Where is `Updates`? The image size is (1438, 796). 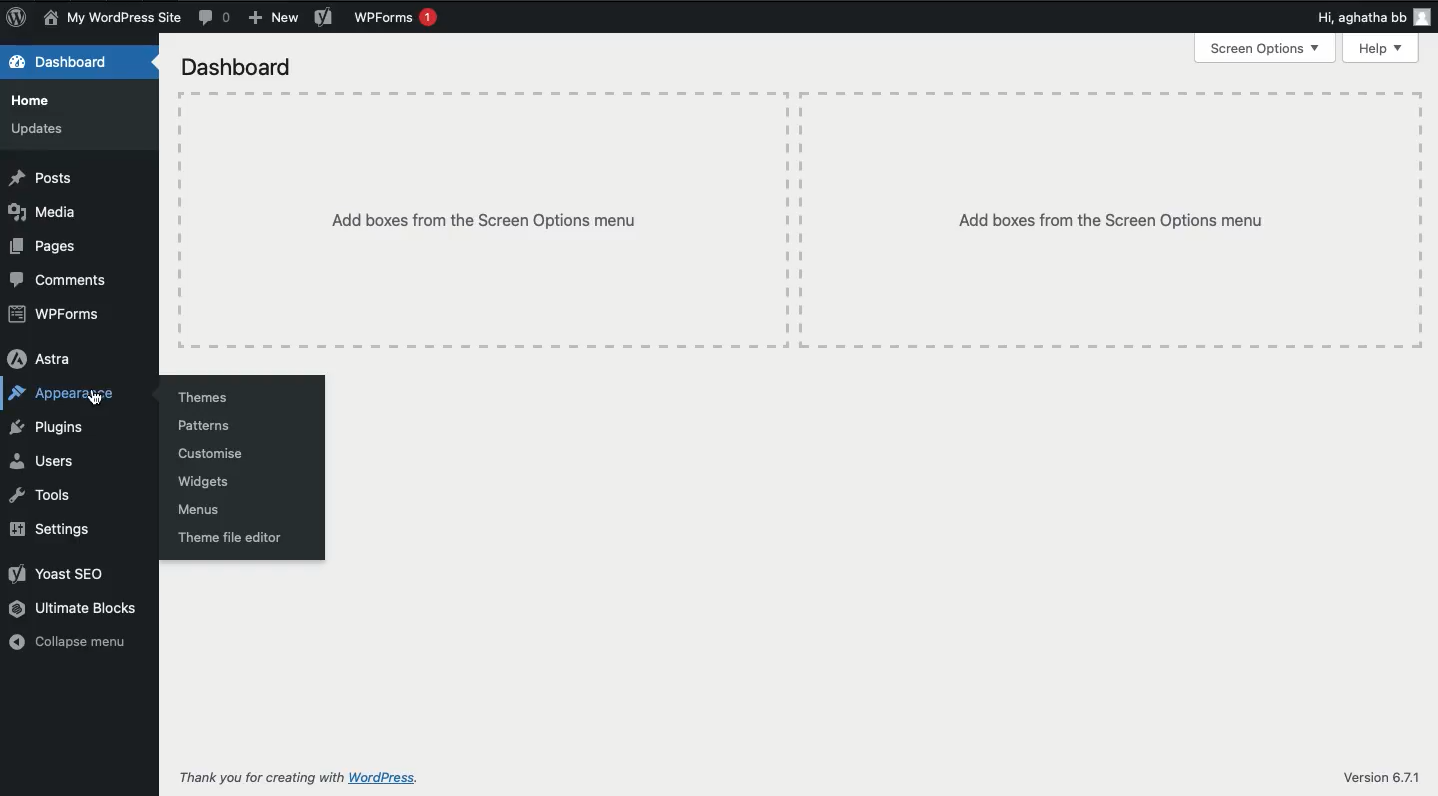 Updates is located at coordinates (39, 128).